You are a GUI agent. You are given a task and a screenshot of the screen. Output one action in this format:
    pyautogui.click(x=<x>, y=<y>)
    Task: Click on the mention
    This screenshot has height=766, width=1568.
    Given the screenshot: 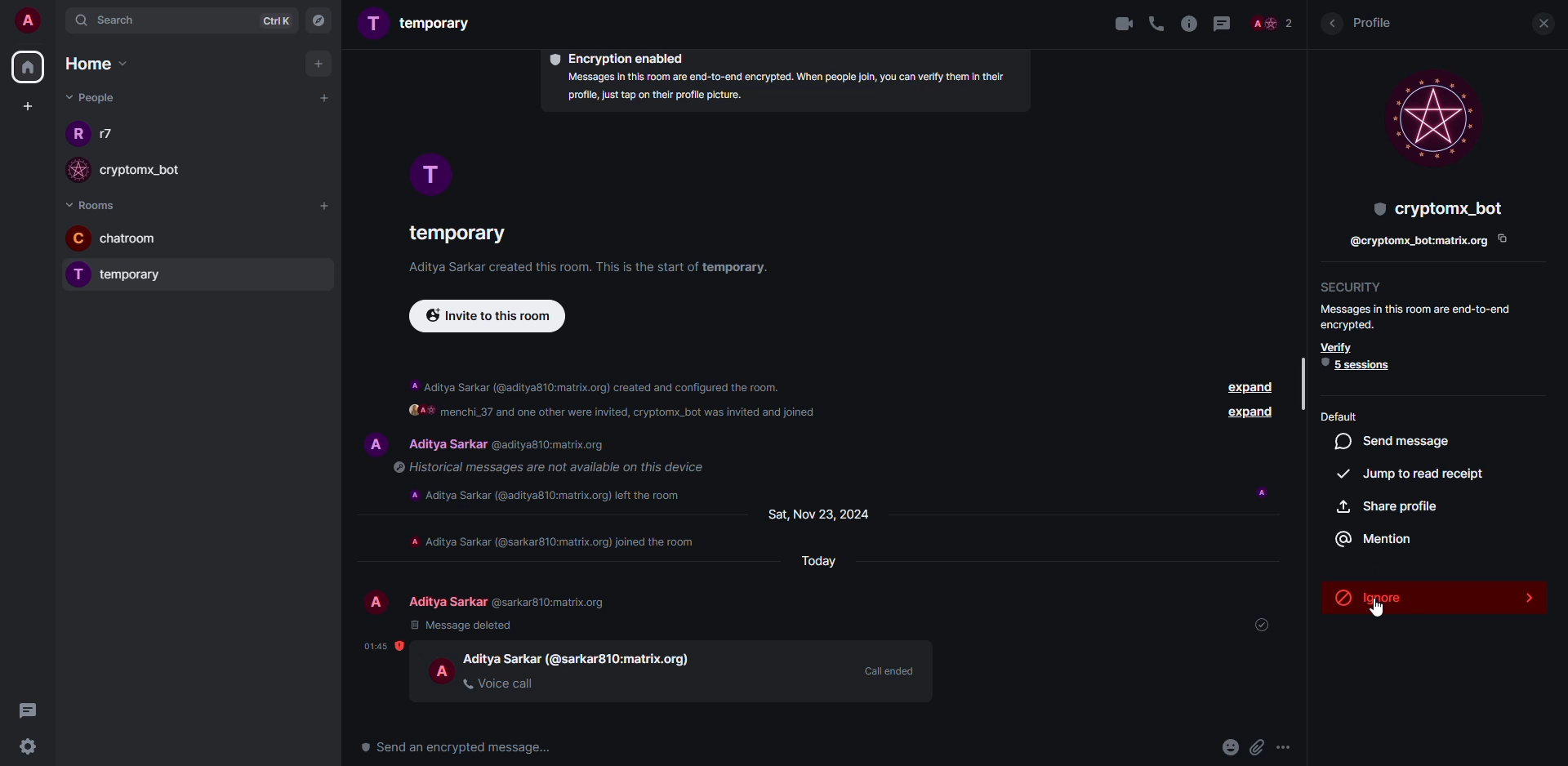 What is the action you would take?
    pyautogui.click(x=1377, y=537)
    